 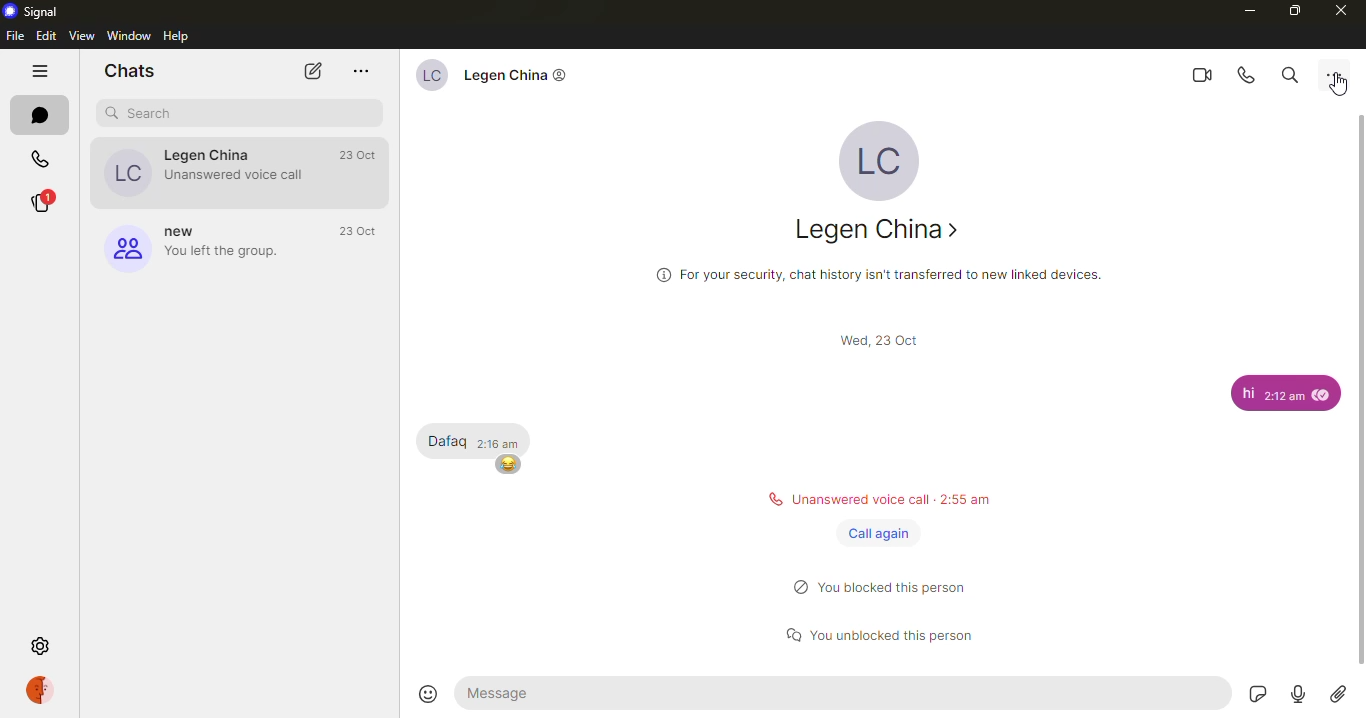 I want to click on info, so click(x=880, y=272).